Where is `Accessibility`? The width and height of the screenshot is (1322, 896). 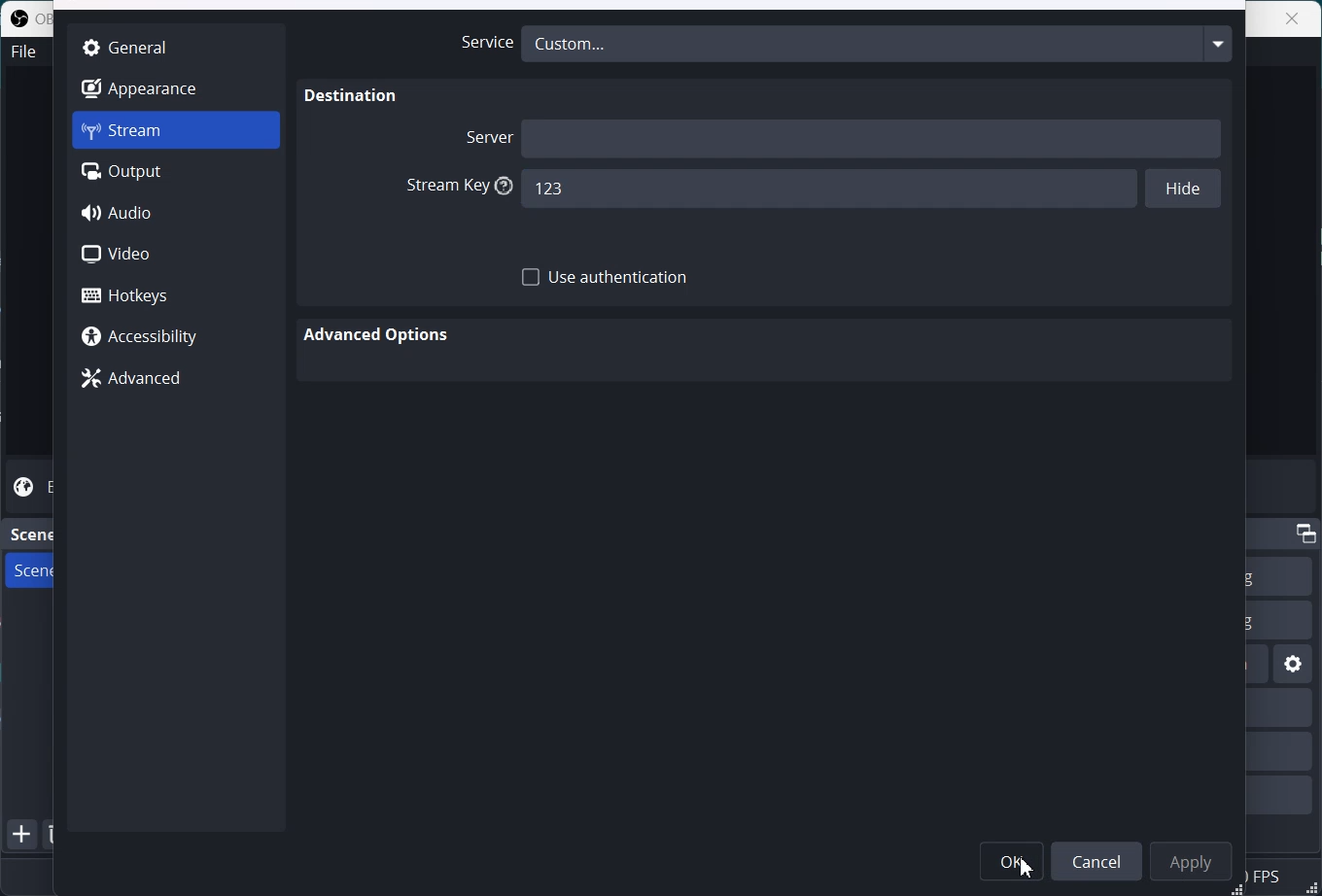
Accessibility is located at coordinates (175, 338).